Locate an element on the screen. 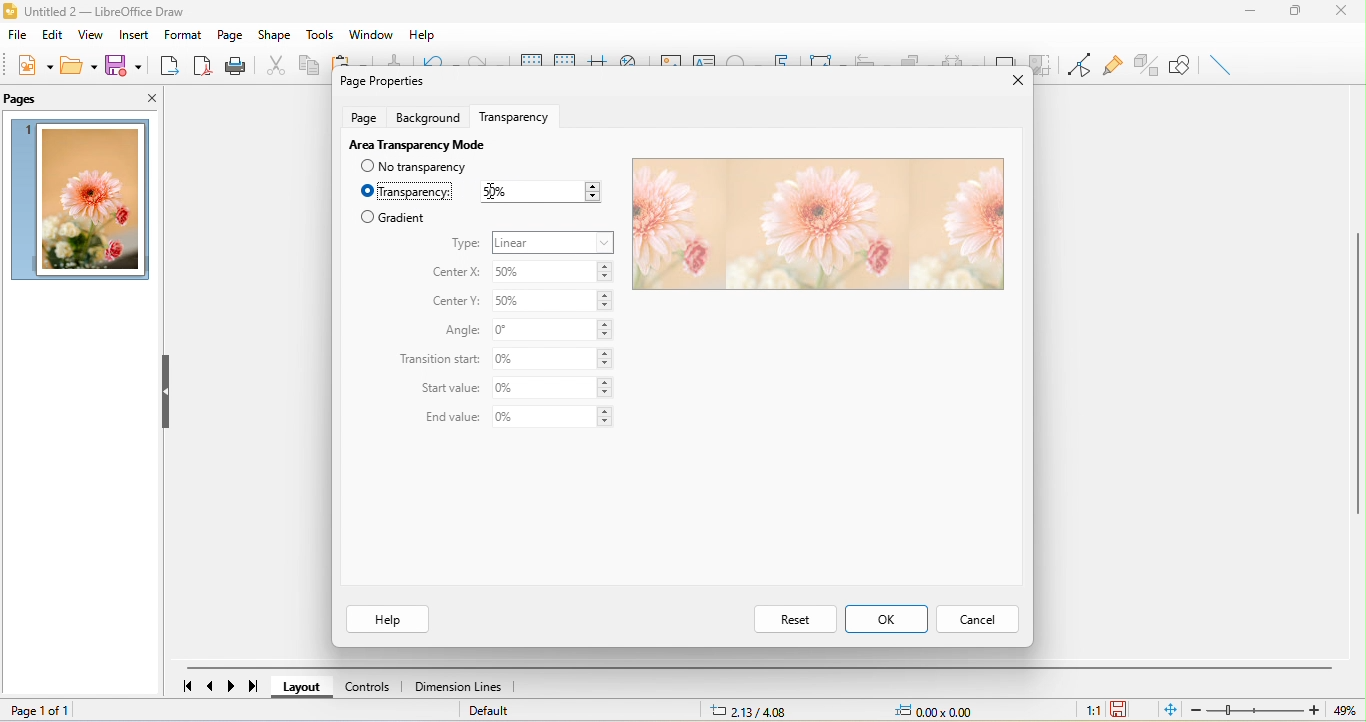 The width and height of the screenshot is (1366, 722). previous page is located at coordinates (213, 684).